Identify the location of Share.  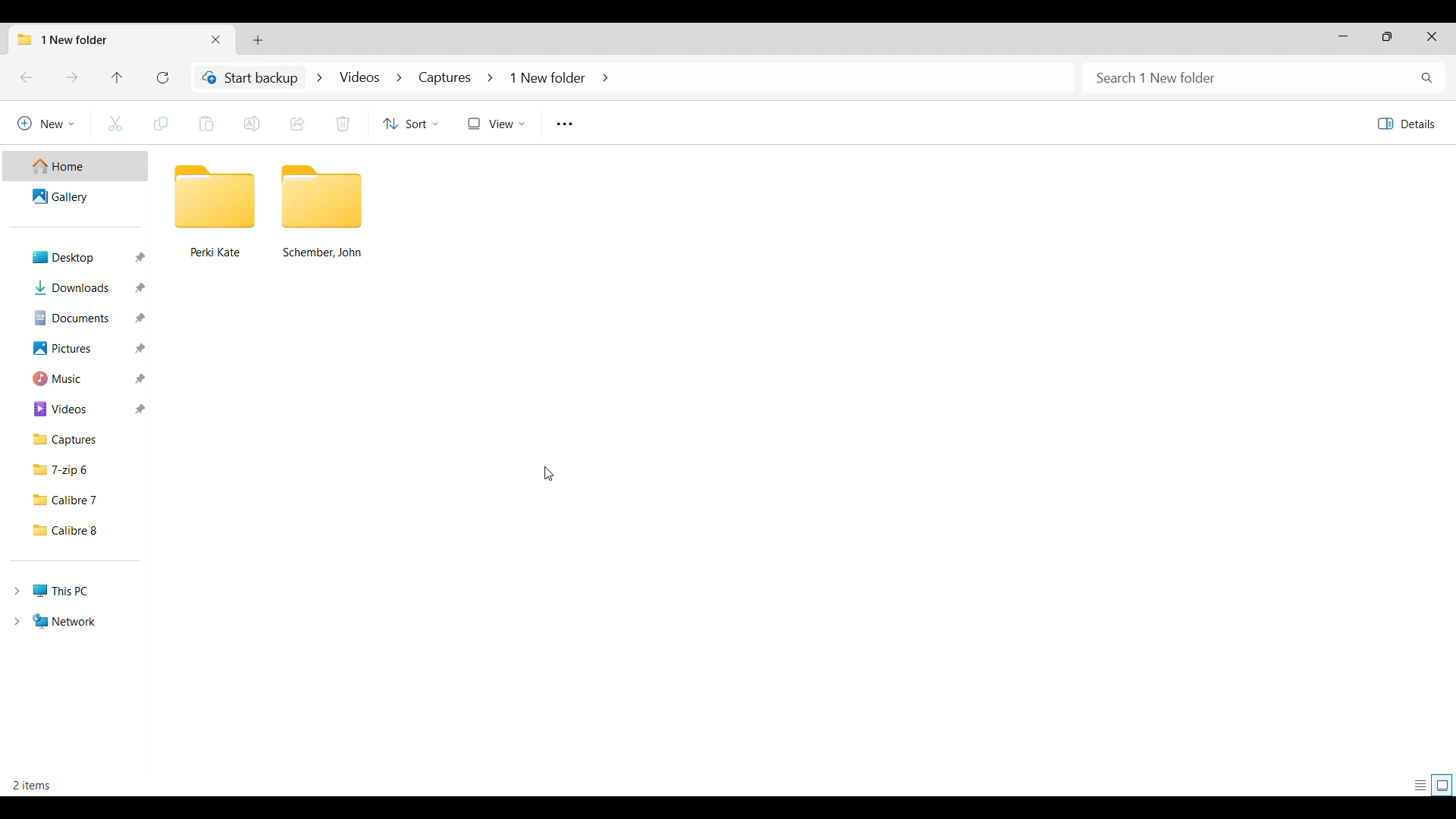
(298, 124).